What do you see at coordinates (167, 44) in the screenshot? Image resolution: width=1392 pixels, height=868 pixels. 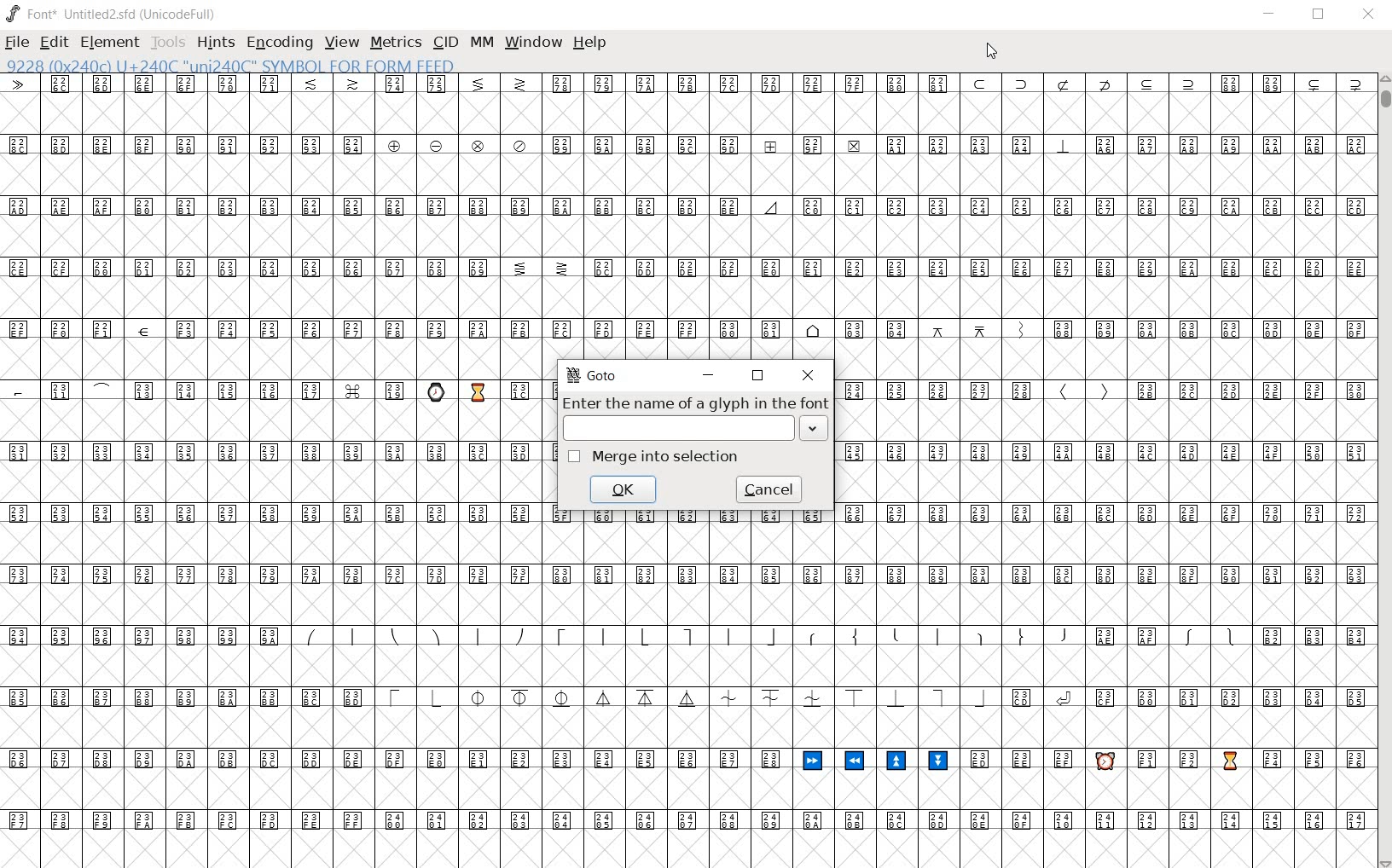 I see `tools` at bounding box center [167, 44].